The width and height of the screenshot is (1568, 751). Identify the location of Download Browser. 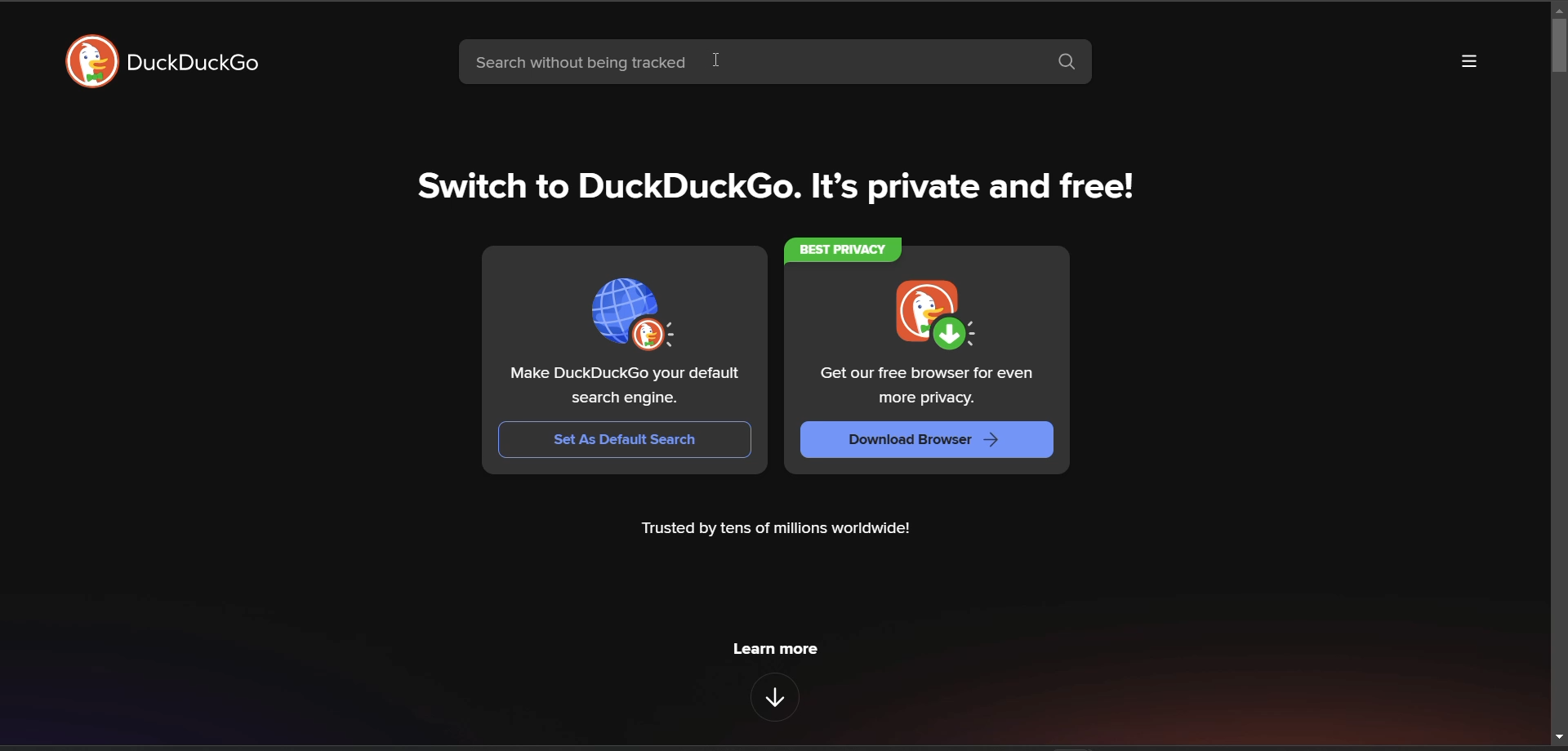
(926, 440).